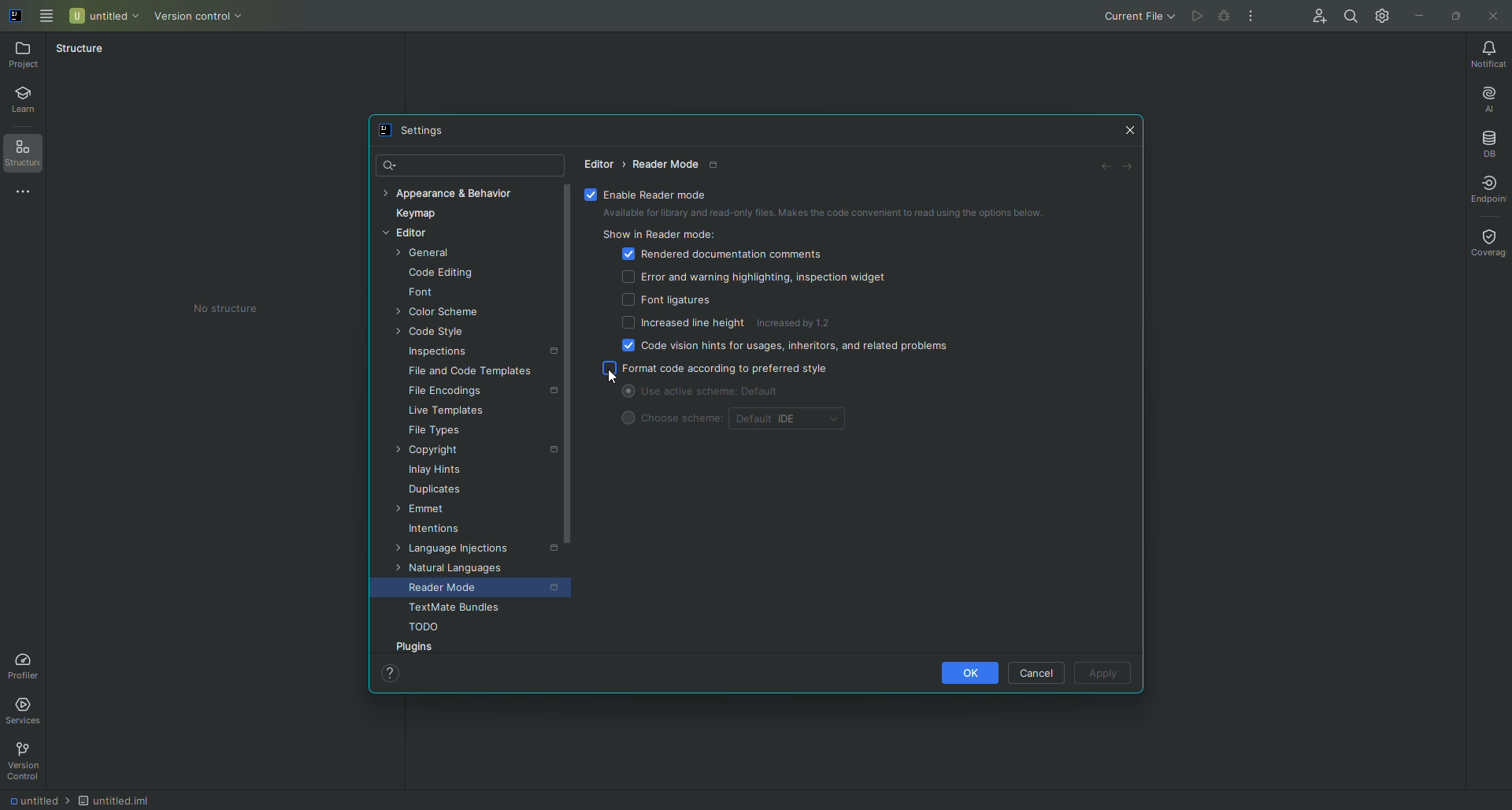 This screenshot has width=1512, height=810. Describe the element at coordinates (652, 195) in the screenshot. I see `Enable reader mode` at that location.